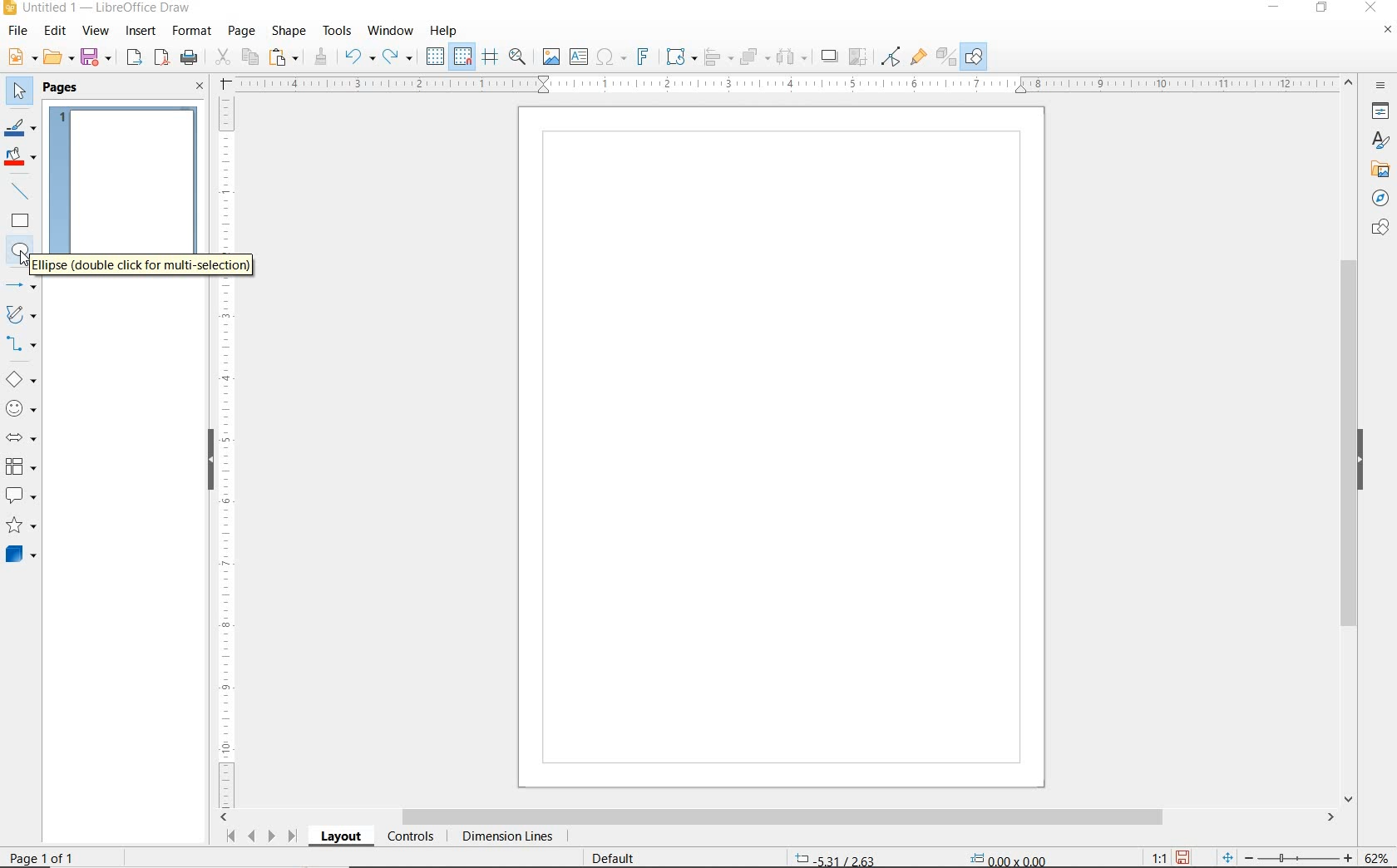 Image resolution: width=1397 pixels, height=868 pixels. What do you see at coordinates (22, 382) in the screenshot?
I see `BASIC SHAPES` at bounding box center [22, 382].